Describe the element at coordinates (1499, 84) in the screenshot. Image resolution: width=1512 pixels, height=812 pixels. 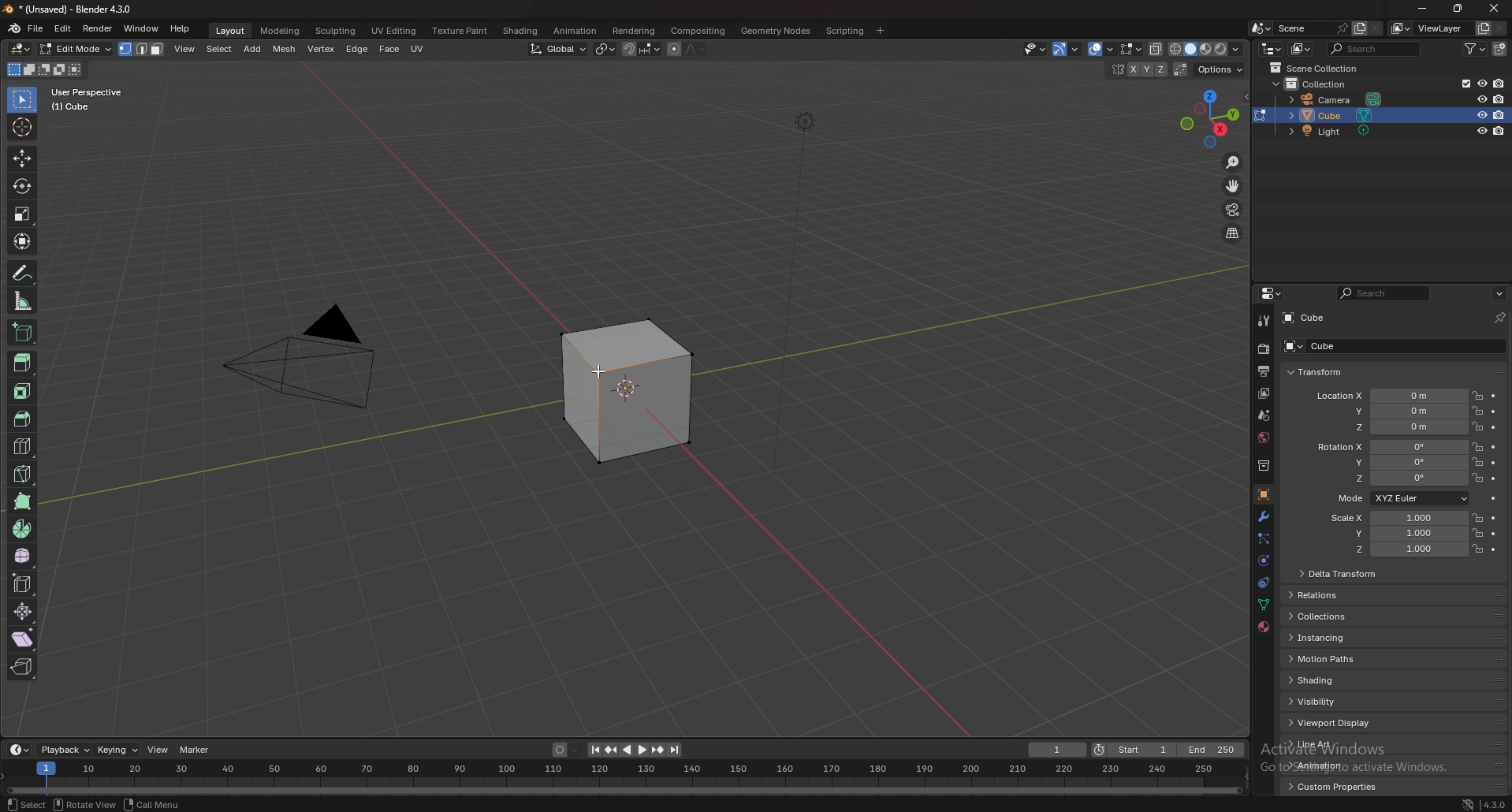
I see `disable in renders` at that location.